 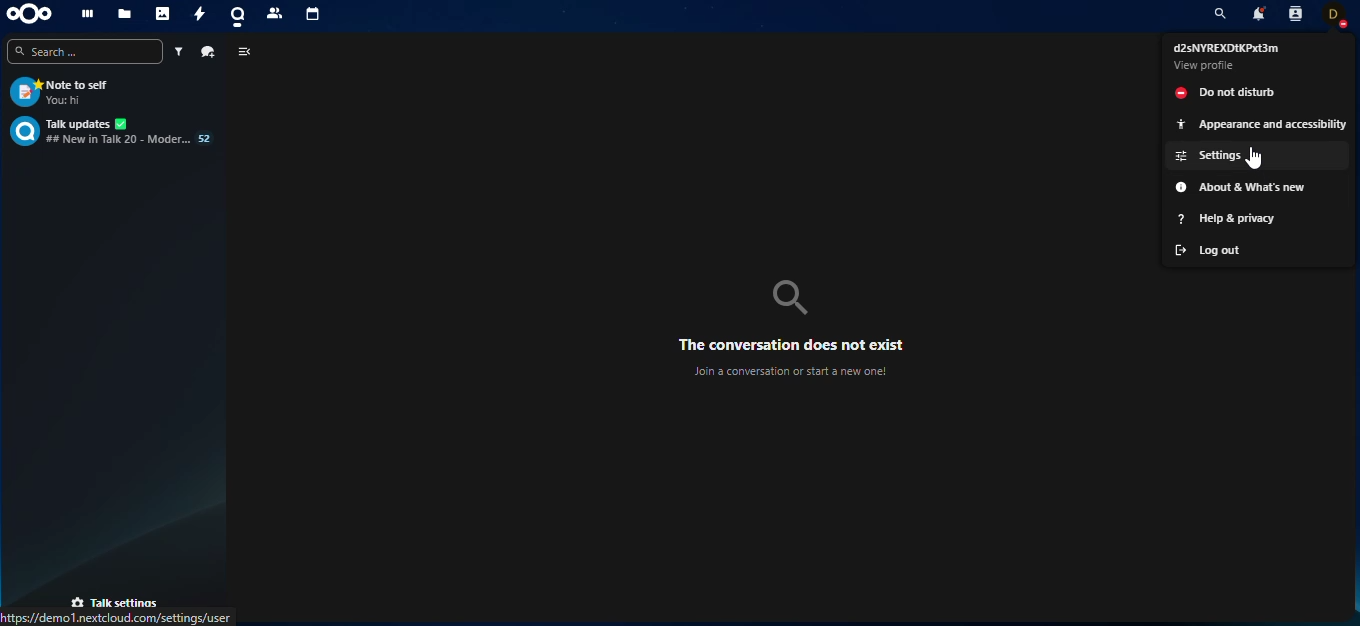 I want to click on d2sNYREXDtKPxt3m, so click(x=1226, y=48).